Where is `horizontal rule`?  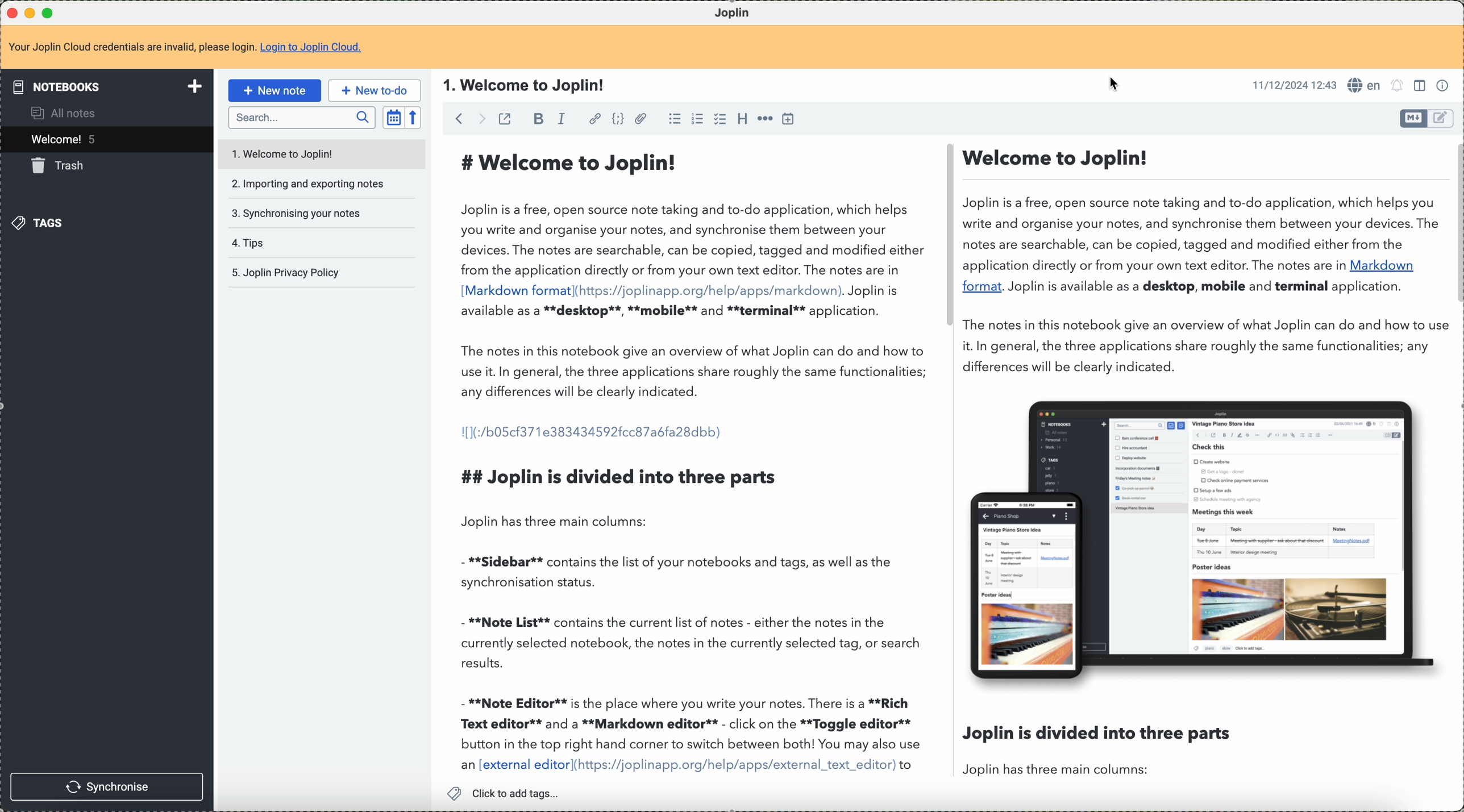
horizontal rule is located at coordinates (767, 119).